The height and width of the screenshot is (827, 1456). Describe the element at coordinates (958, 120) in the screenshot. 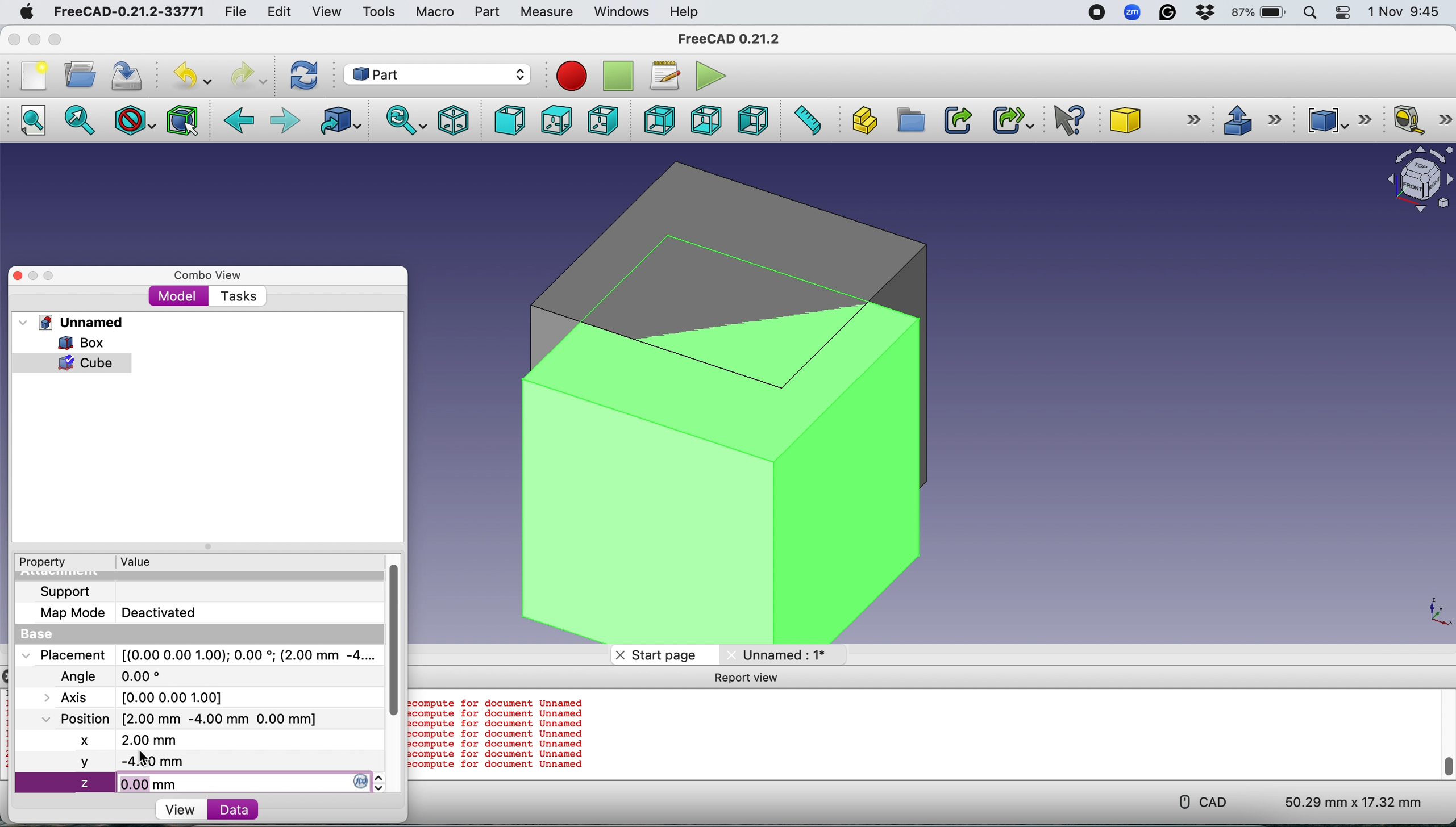

I see `Make link` at that location.